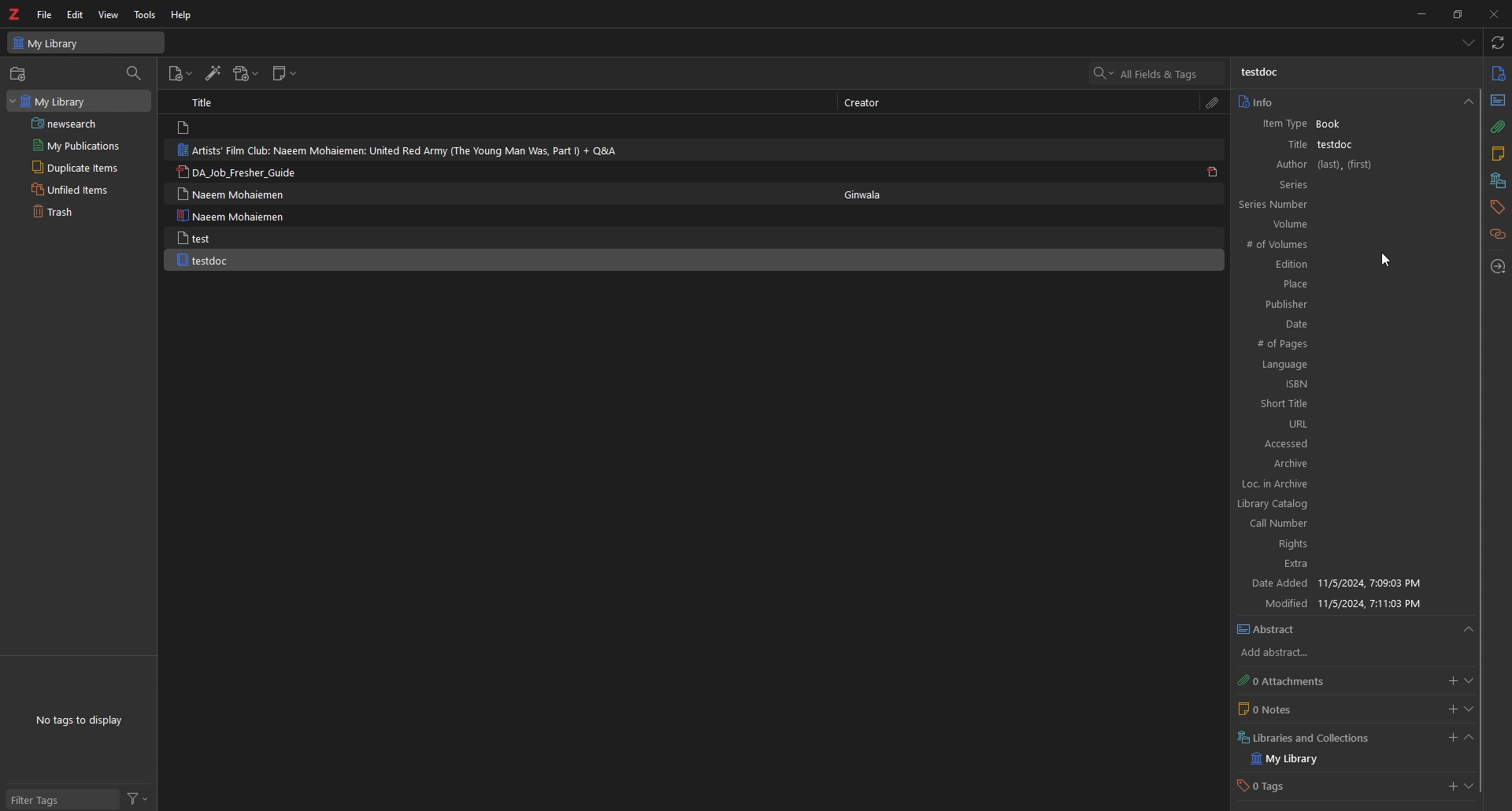 Image resolution: width=1512 pixels, height=811 pixels. I want to click on No tags to display, so click(83, 720).